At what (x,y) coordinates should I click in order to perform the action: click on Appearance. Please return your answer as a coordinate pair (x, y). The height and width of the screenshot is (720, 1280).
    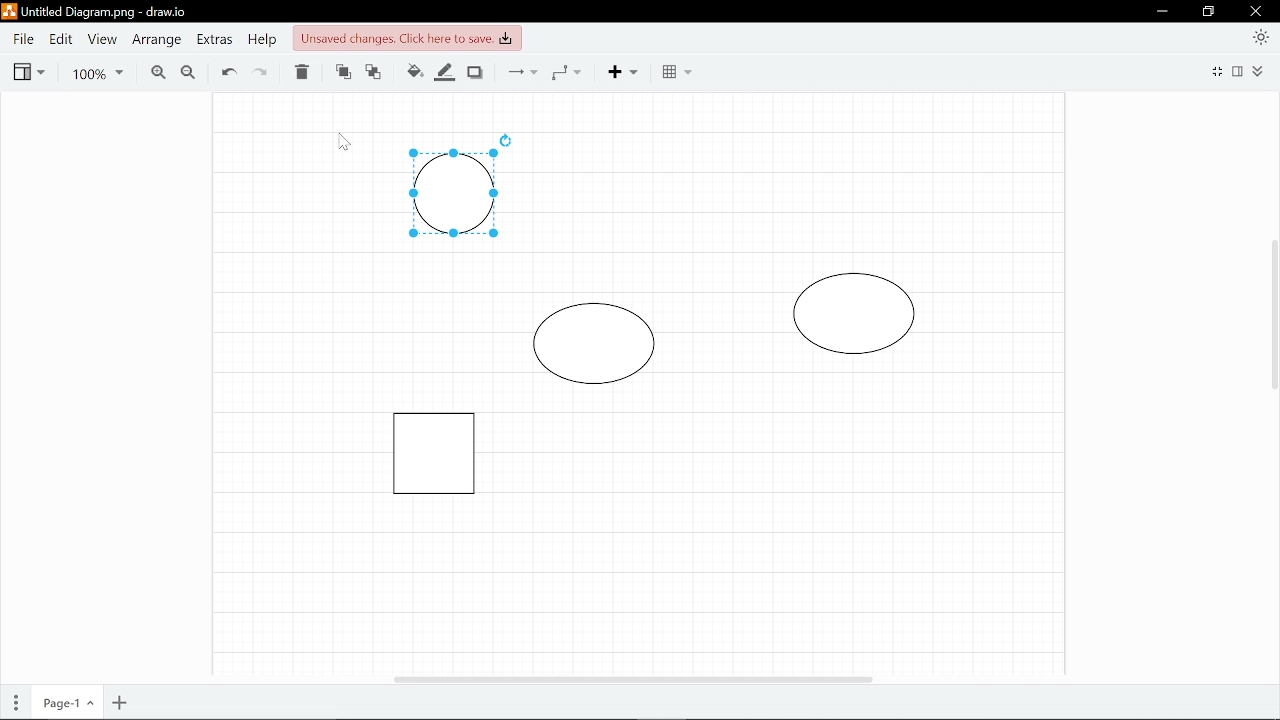
    Looking at the image, I should click on (1262, 36).